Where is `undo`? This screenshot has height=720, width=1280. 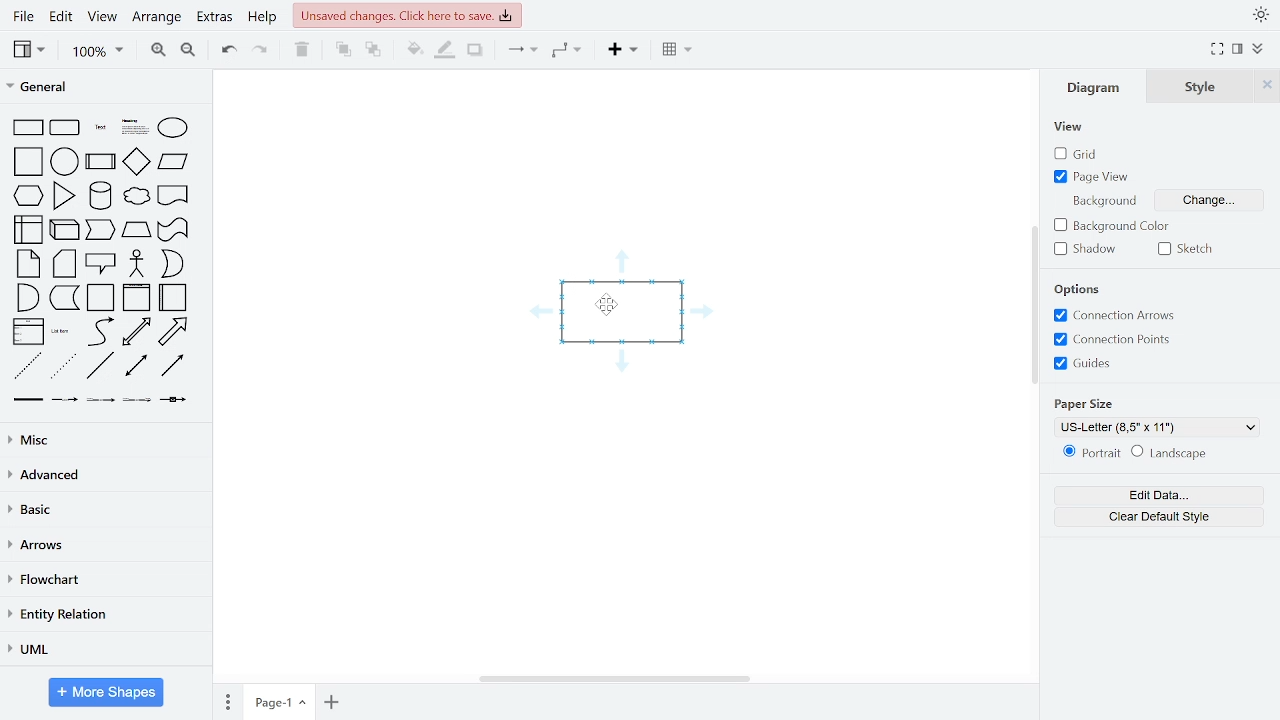 undo is located at coordinates (226, 50).